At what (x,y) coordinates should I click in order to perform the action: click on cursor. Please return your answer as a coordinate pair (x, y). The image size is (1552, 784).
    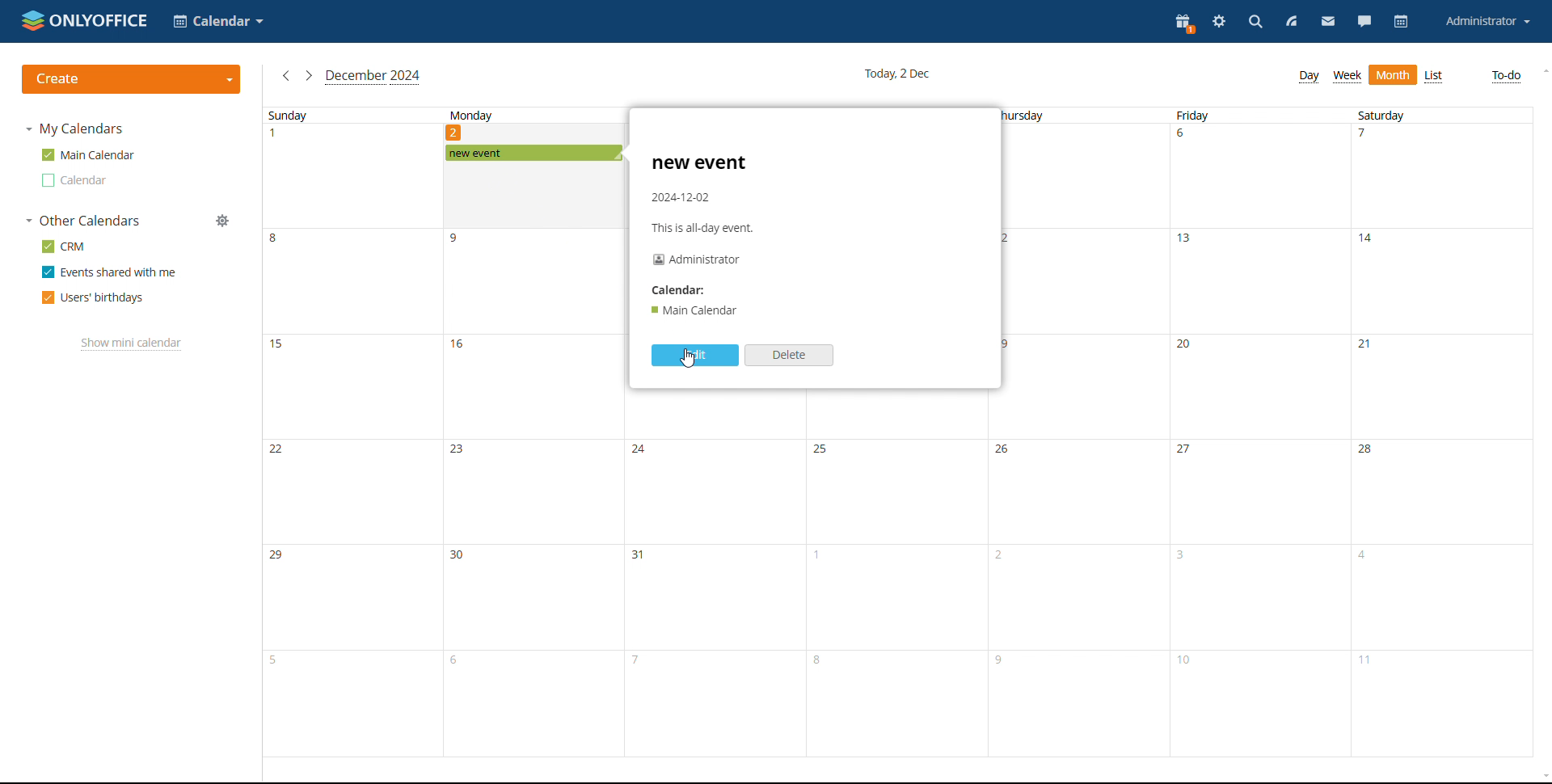
    Looking at the image, I should click on (692, 365).